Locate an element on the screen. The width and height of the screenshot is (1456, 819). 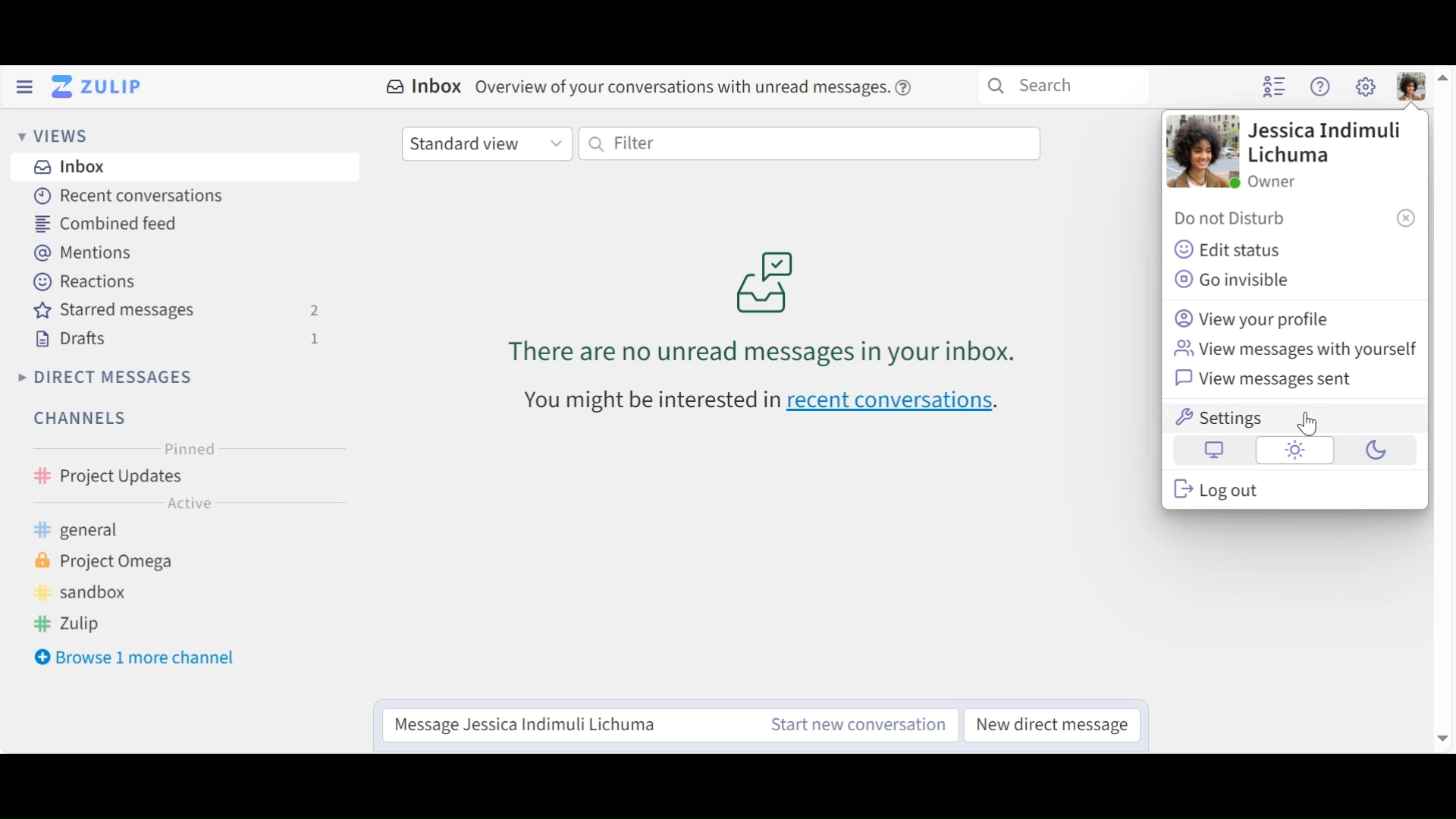
general is located at coordinates (105, 532).